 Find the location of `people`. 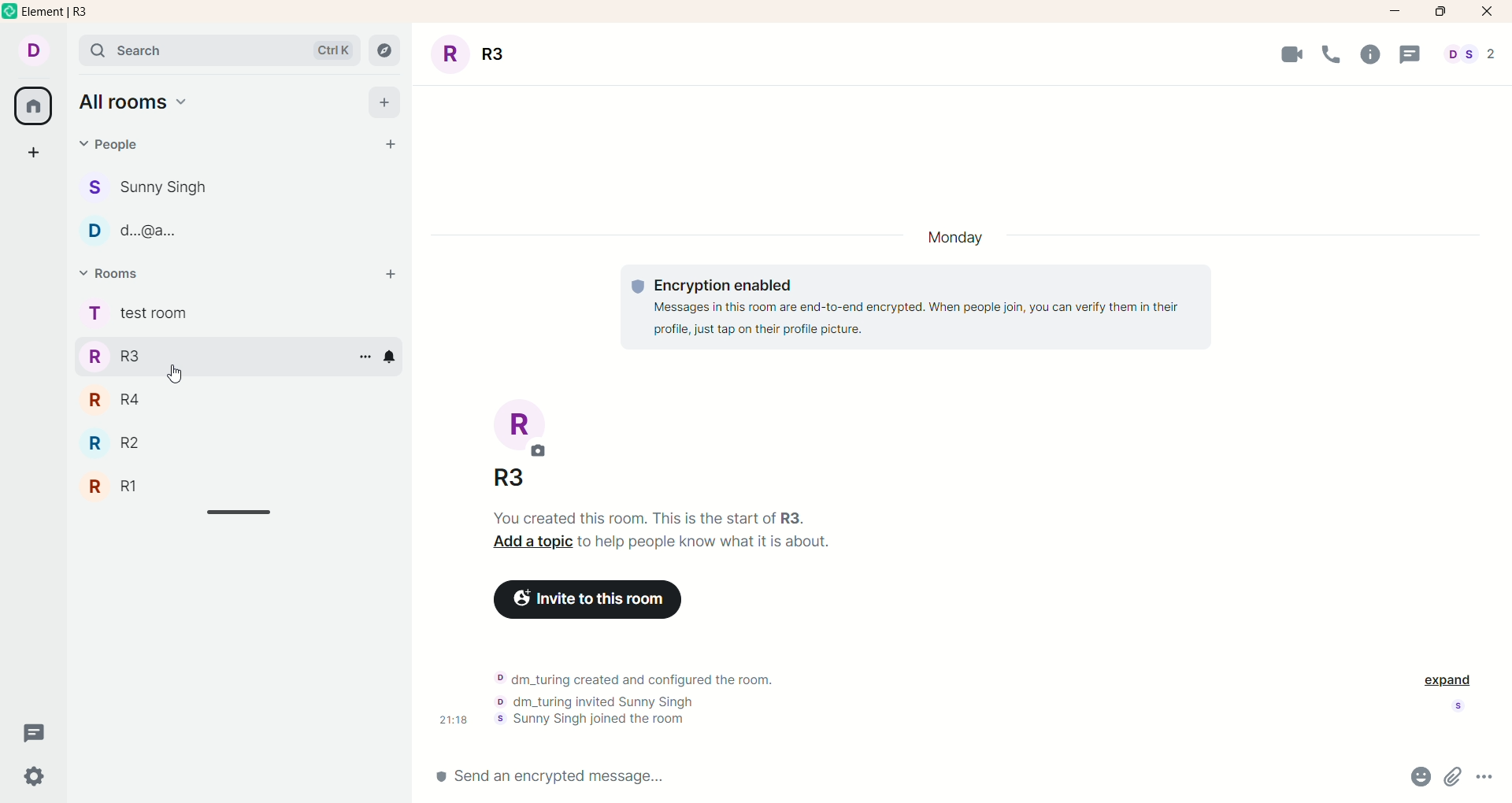

people is located at coordinates (1473, 53).